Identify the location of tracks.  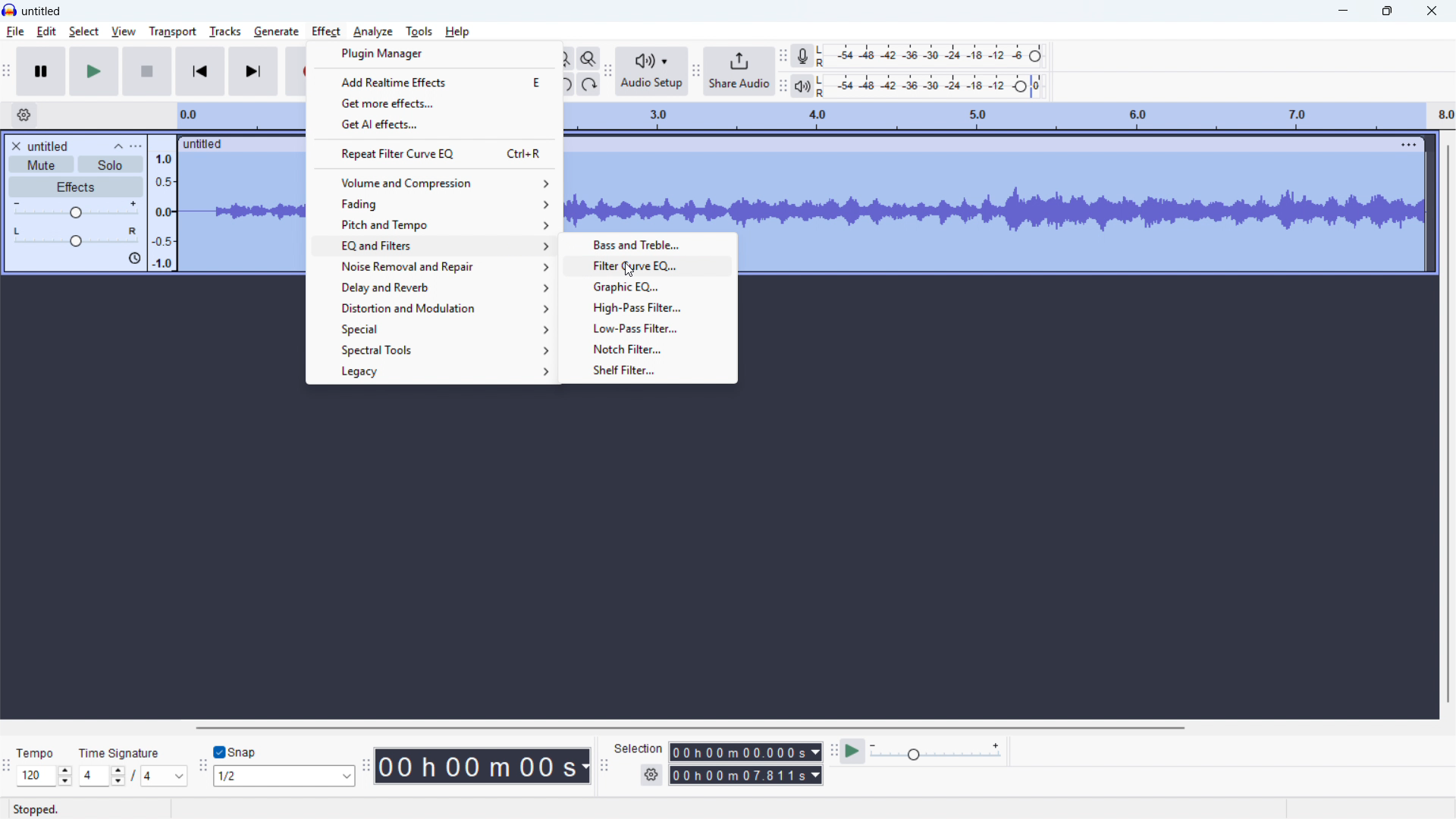
(224, 31).